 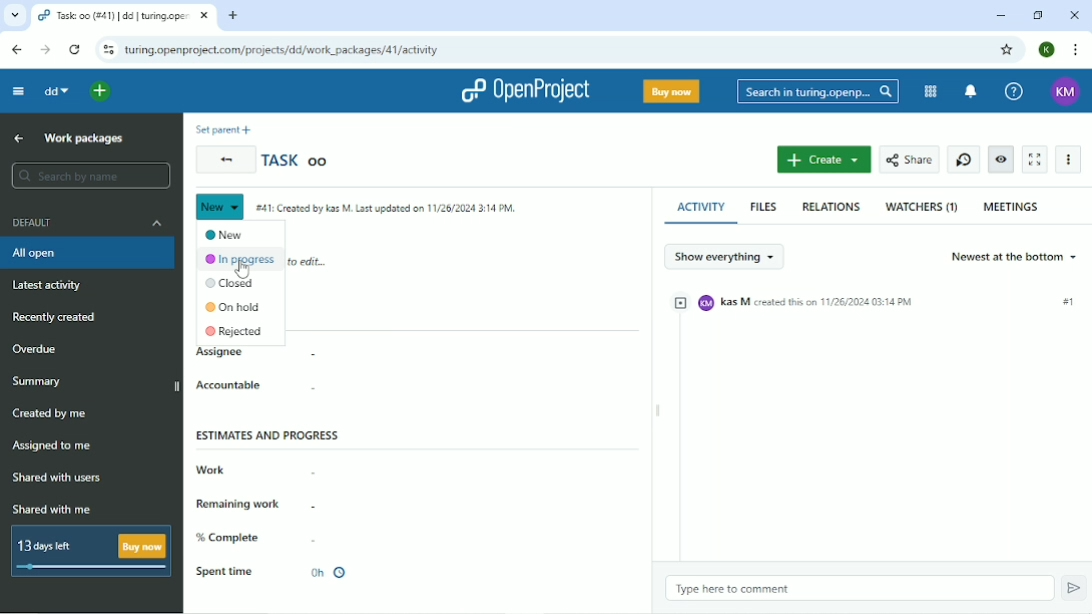 What do you see at coordinates (210, 470) in the screenshot?
I see `Work` at bounding box center [210, 470].